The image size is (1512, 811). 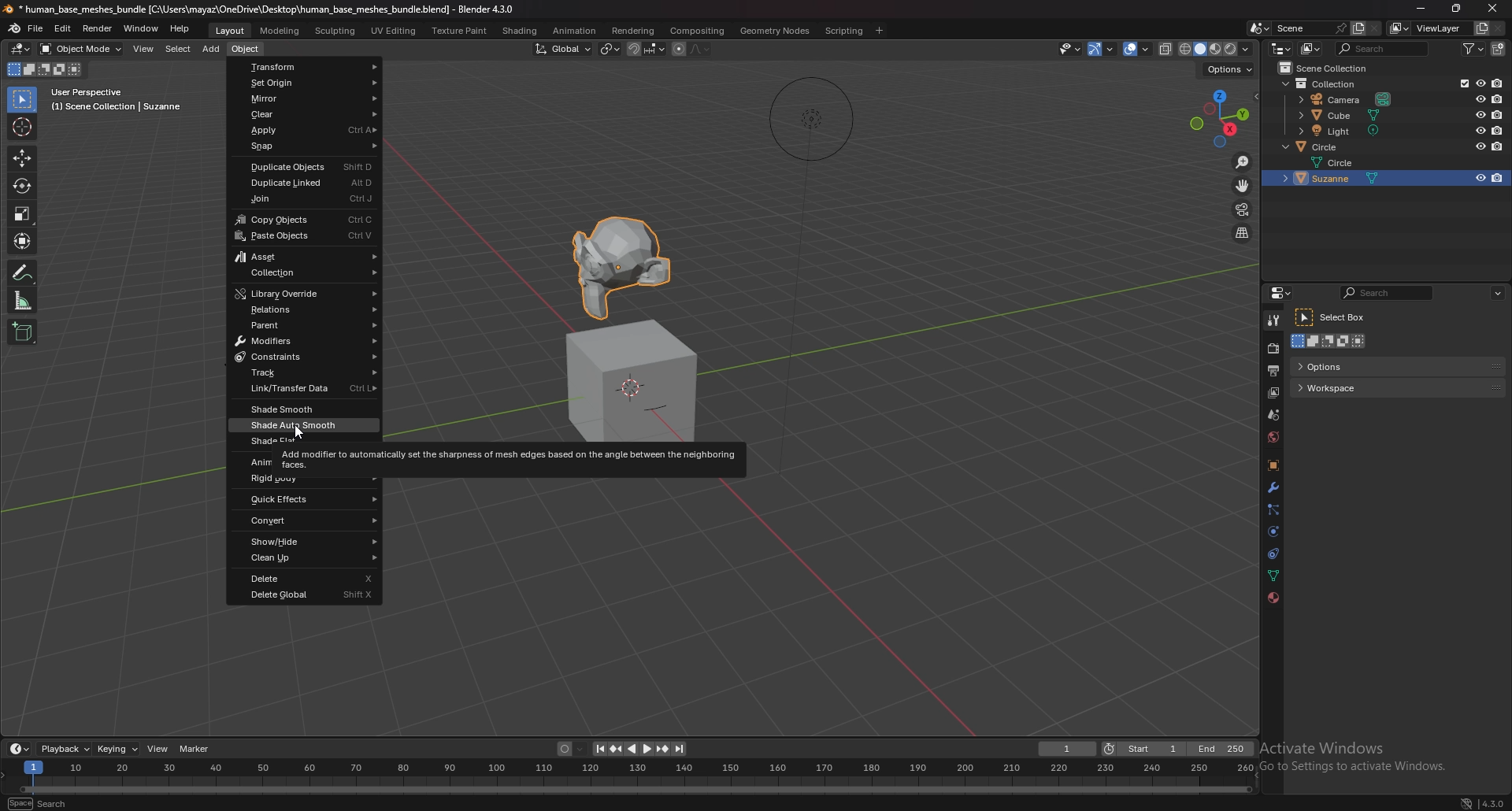 I want to click on help, so click(x=180, y=29).